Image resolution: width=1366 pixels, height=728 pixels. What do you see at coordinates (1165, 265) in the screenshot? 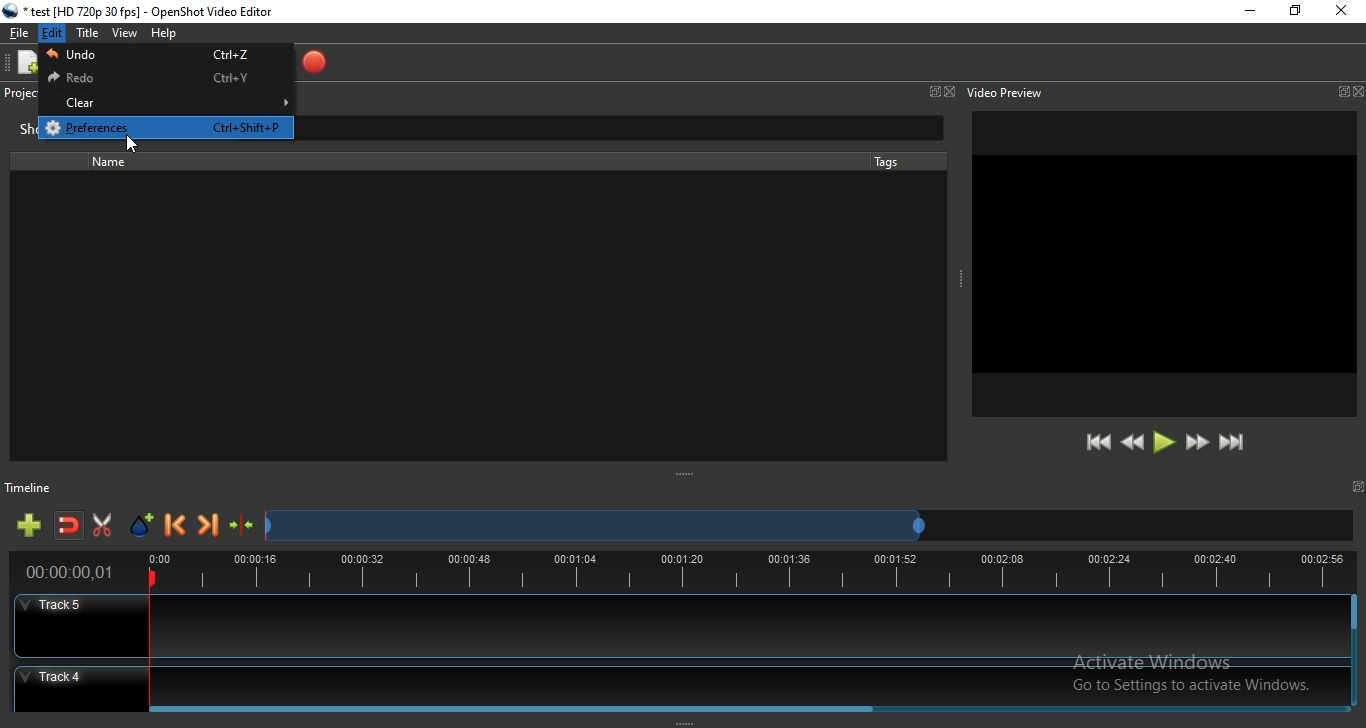
I see `Preview` at bounding box center [1165, 265].